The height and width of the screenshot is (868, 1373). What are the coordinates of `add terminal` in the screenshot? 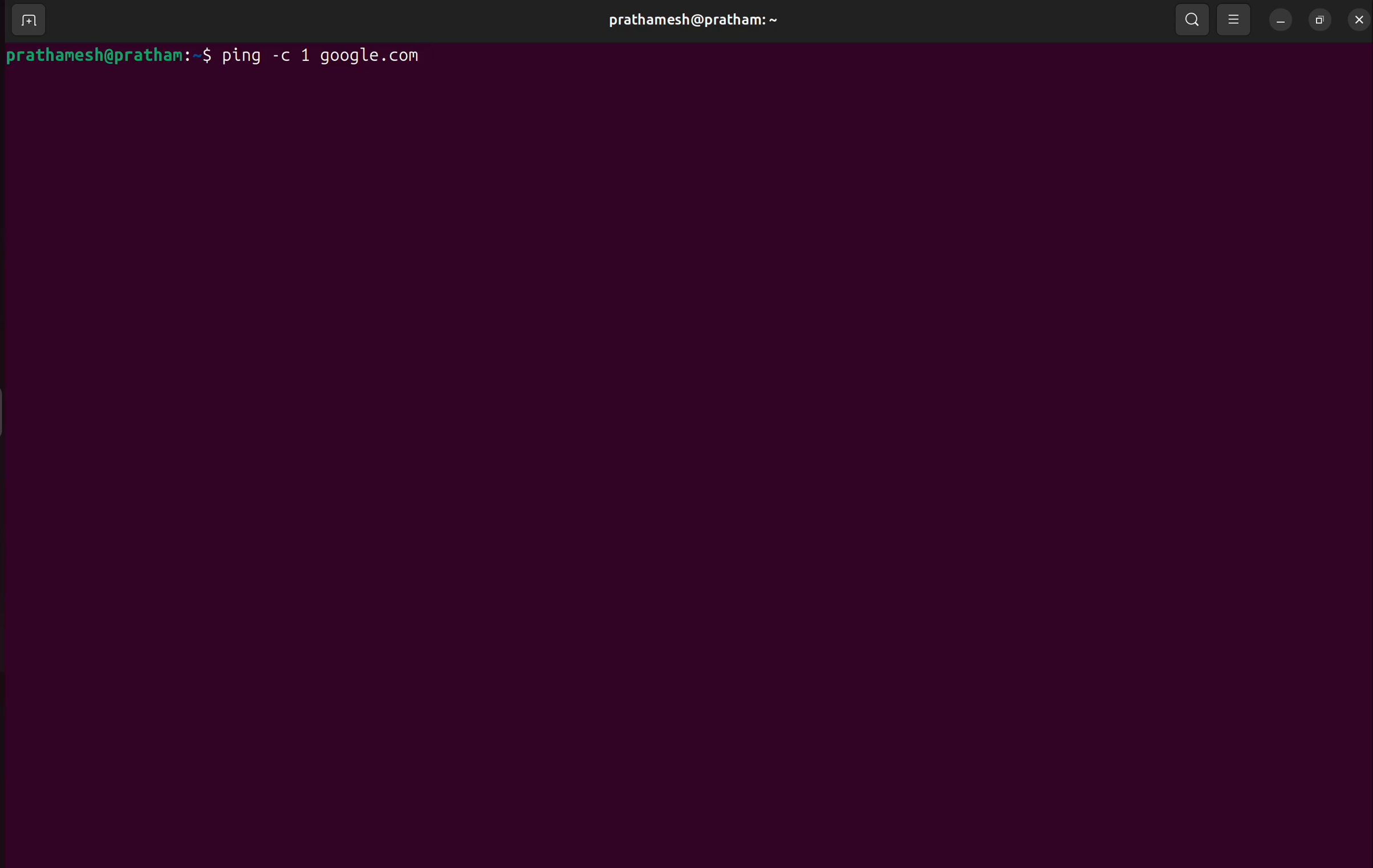 It's located at (28, 21).